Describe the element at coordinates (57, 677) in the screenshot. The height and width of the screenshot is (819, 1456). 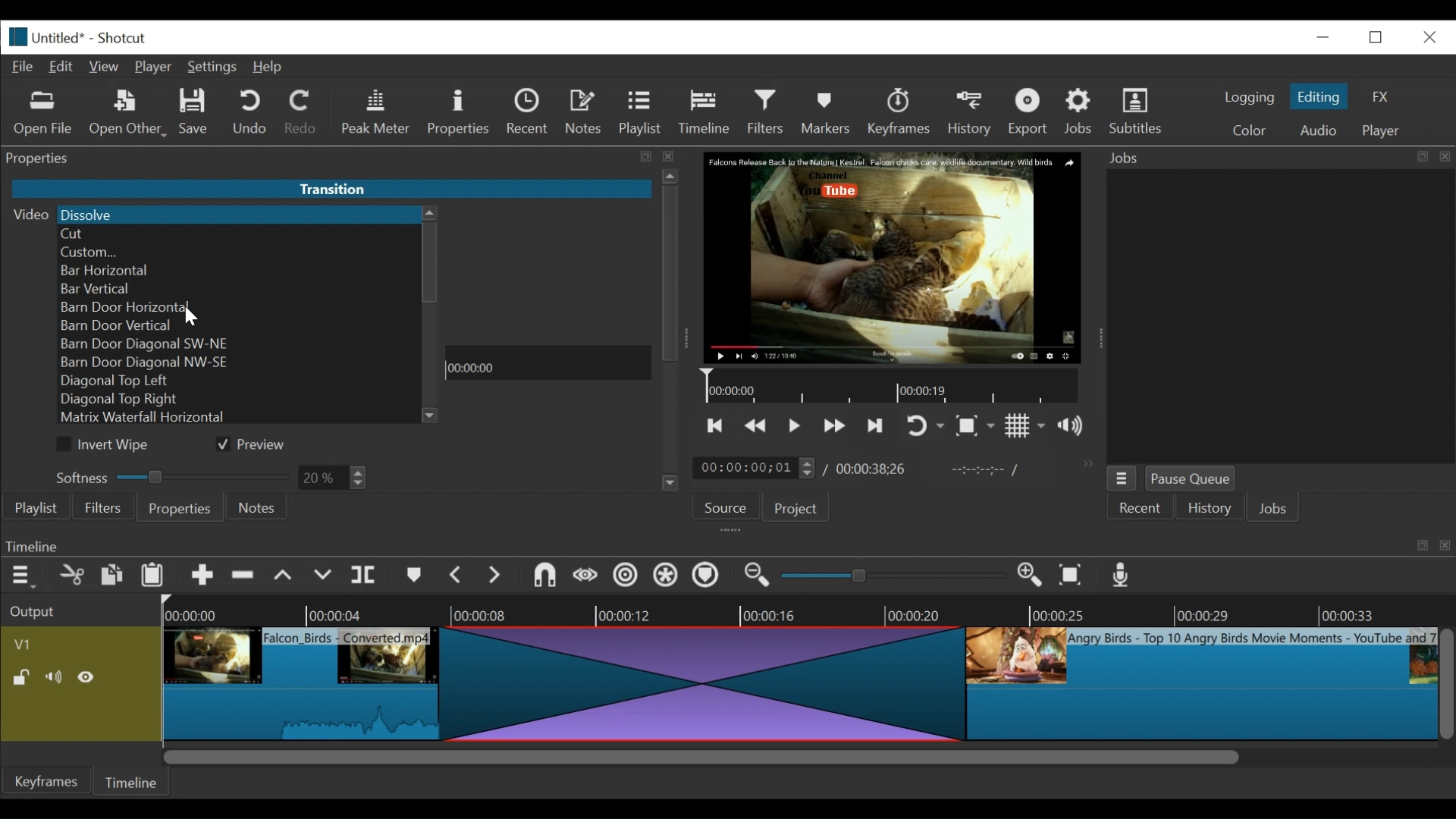
I see `Mute` at that location.